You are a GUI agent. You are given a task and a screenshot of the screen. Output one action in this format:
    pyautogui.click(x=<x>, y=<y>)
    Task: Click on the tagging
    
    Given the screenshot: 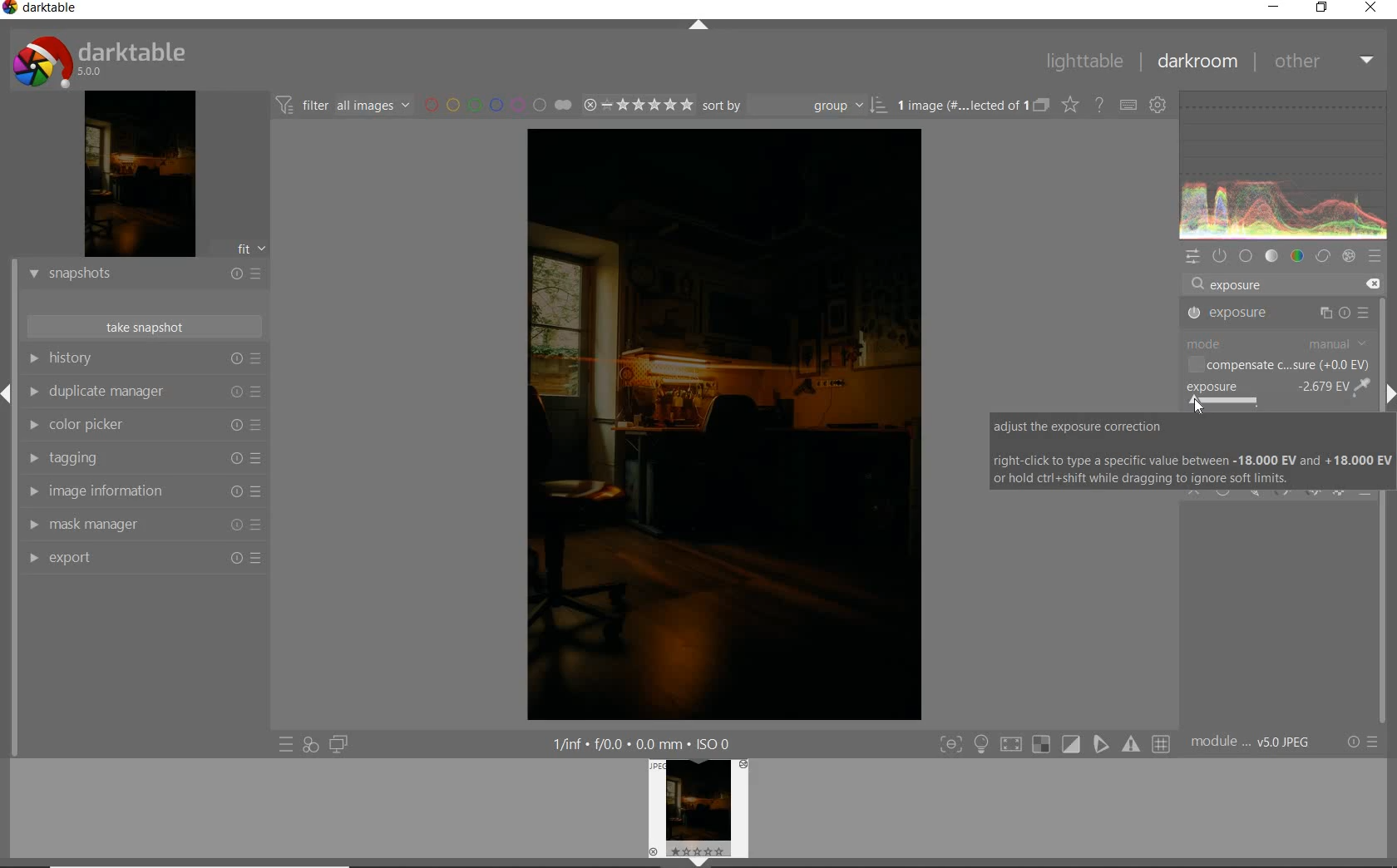 What is the action you would take?
    pyautogui.click(x=144, y=457)
    